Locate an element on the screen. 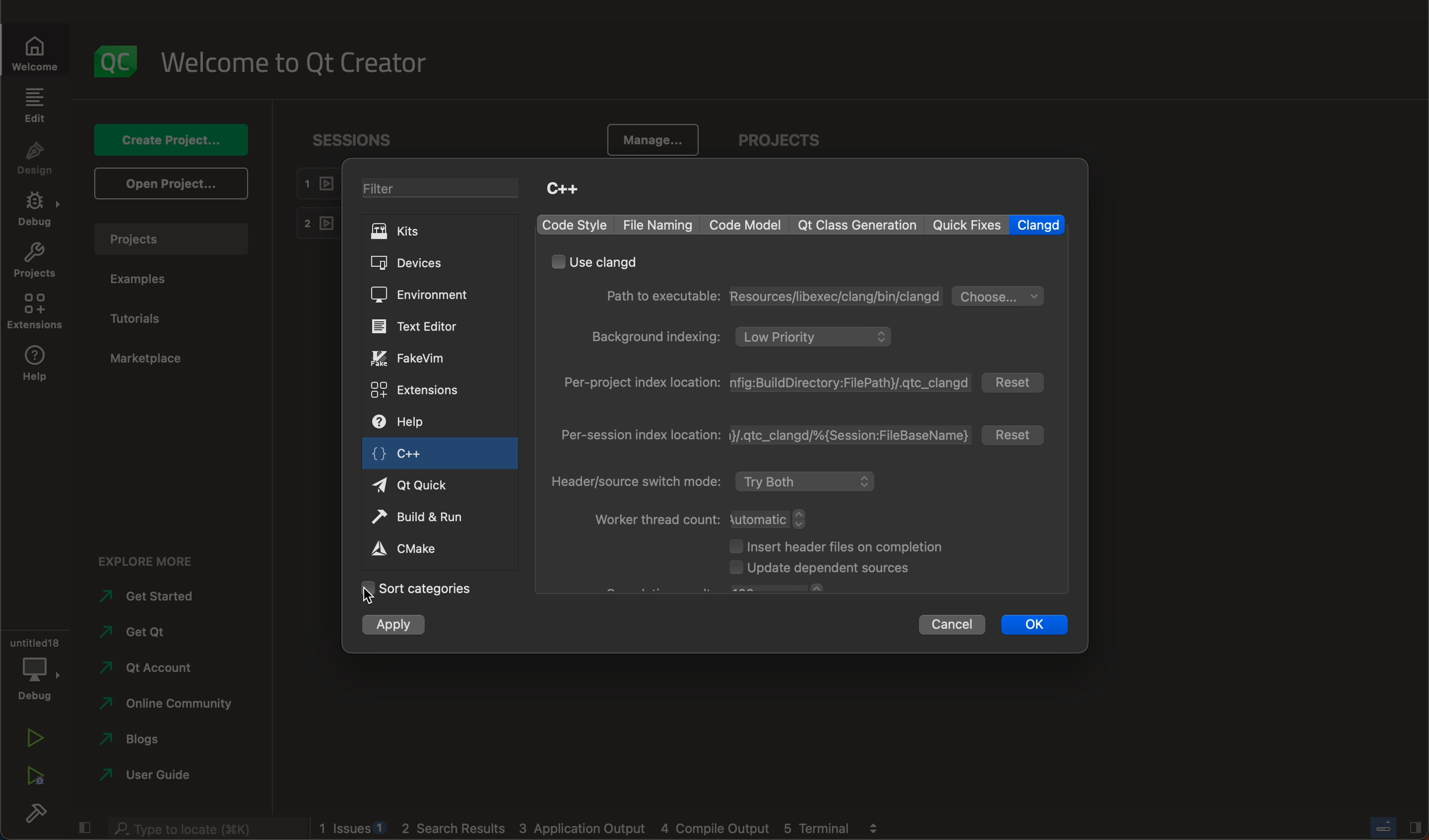 This screenshot has width=1429, height=840. editor is located at coordinates (427, 327).